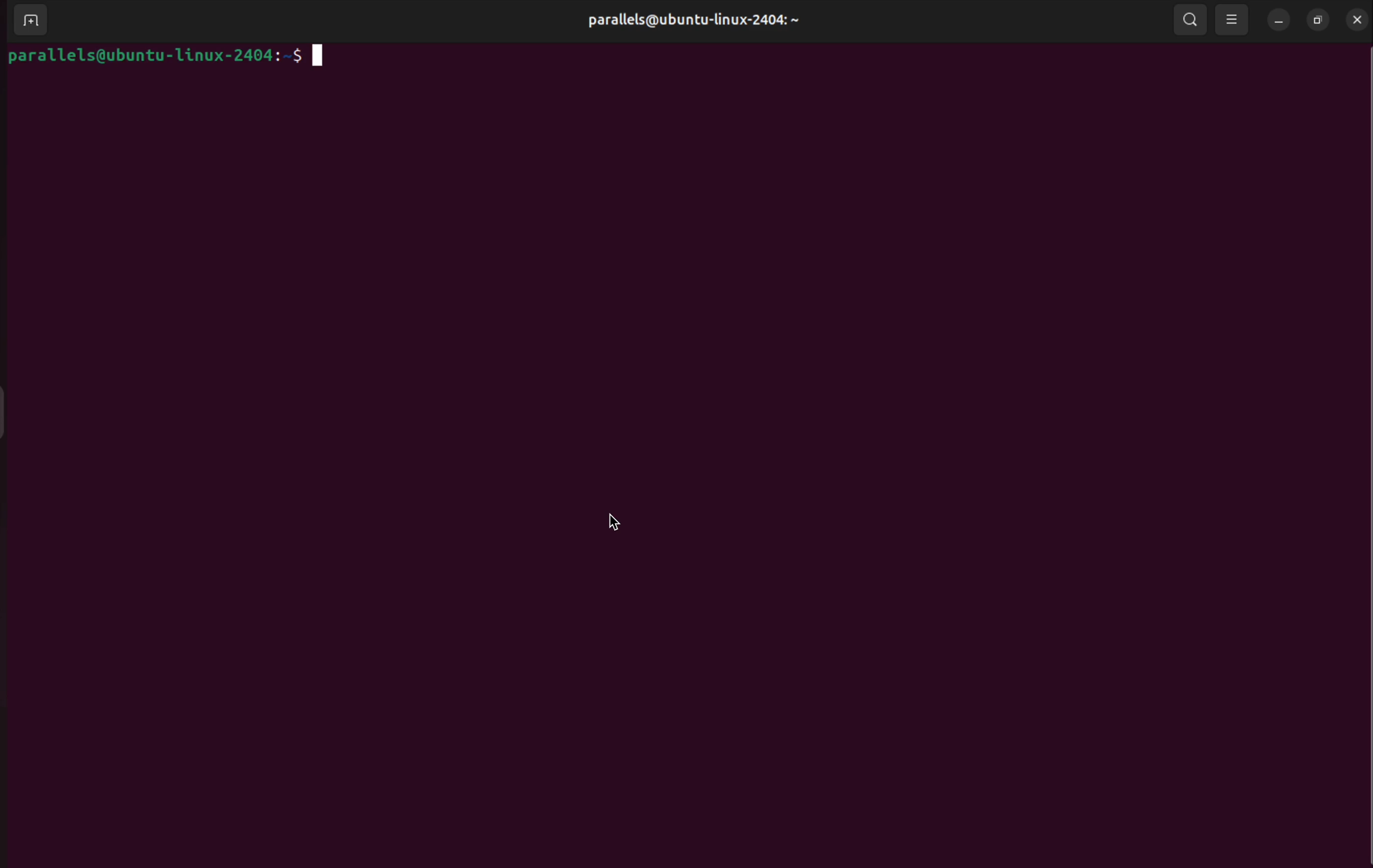 This screenshot has height=868, width=1373. What do you see at coordinates (619, 524) in the screenshot?
I see `cursor` at bounding box center [619, 524].